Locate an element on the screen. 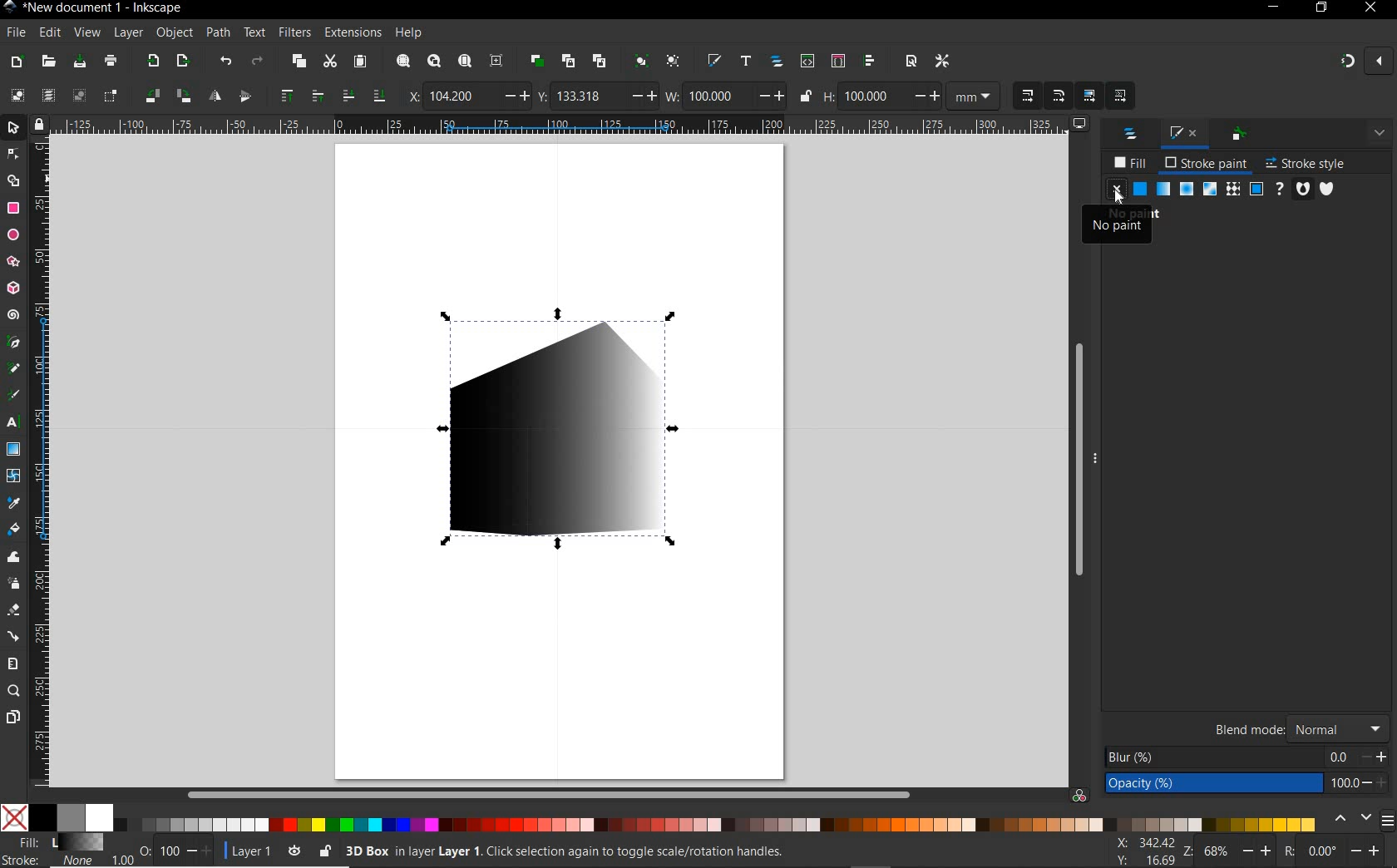  normal is located at coordinates (1339, 729).